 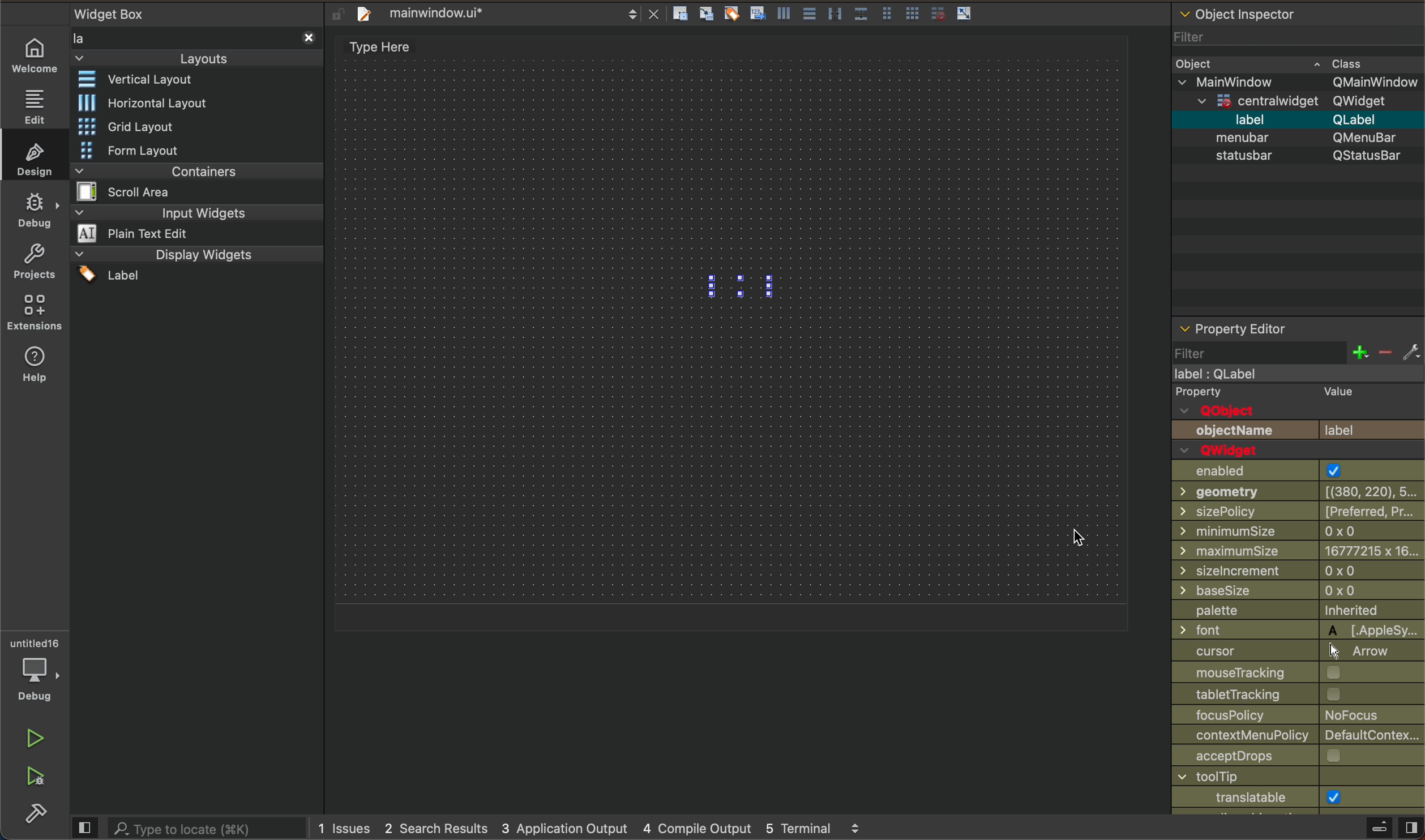 I want to click on contextual, so click(x=1294, y=738).